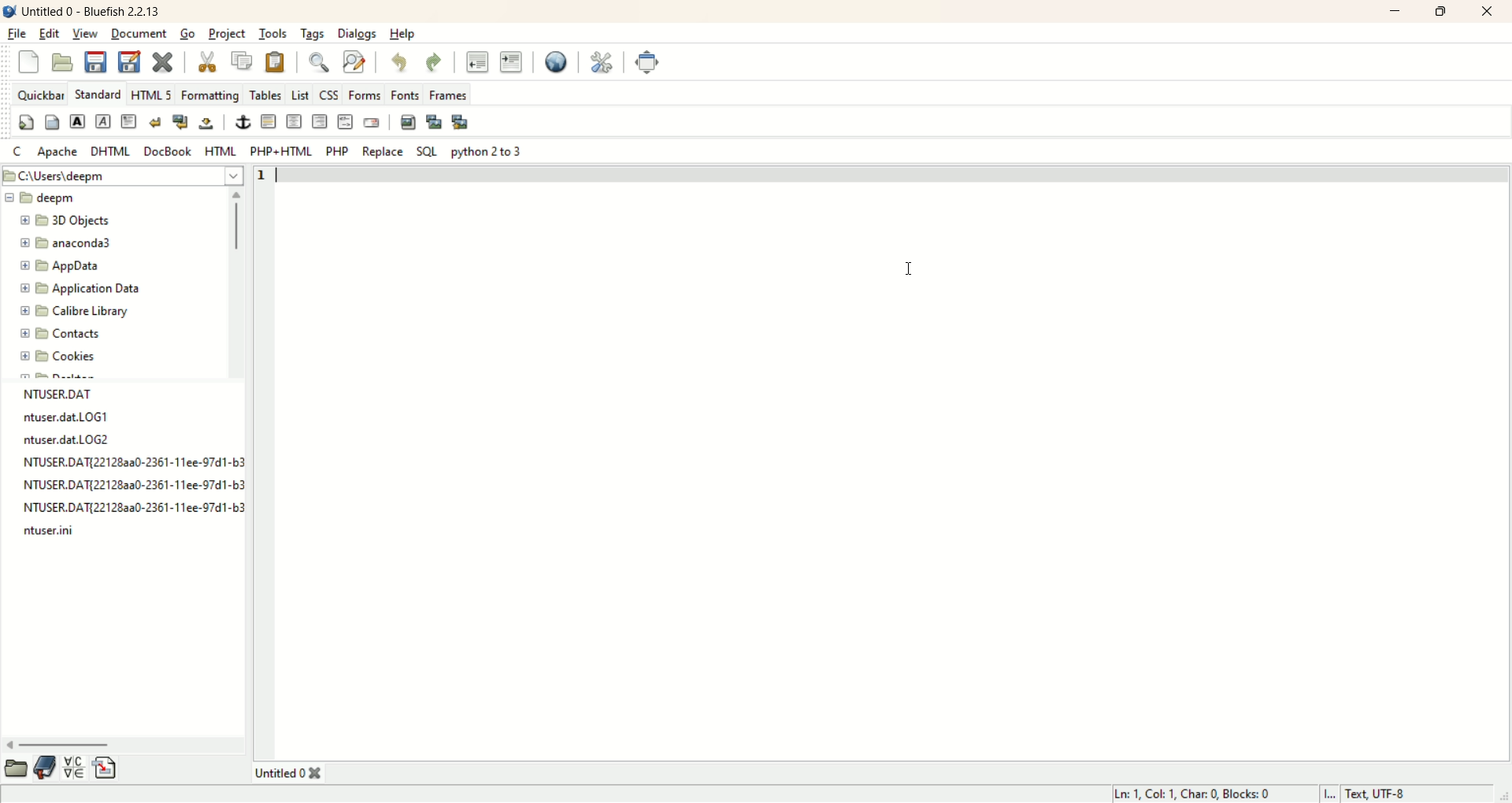 The image size is (1512, 803). I want to click on multi thumbnail, so click(461, 121).